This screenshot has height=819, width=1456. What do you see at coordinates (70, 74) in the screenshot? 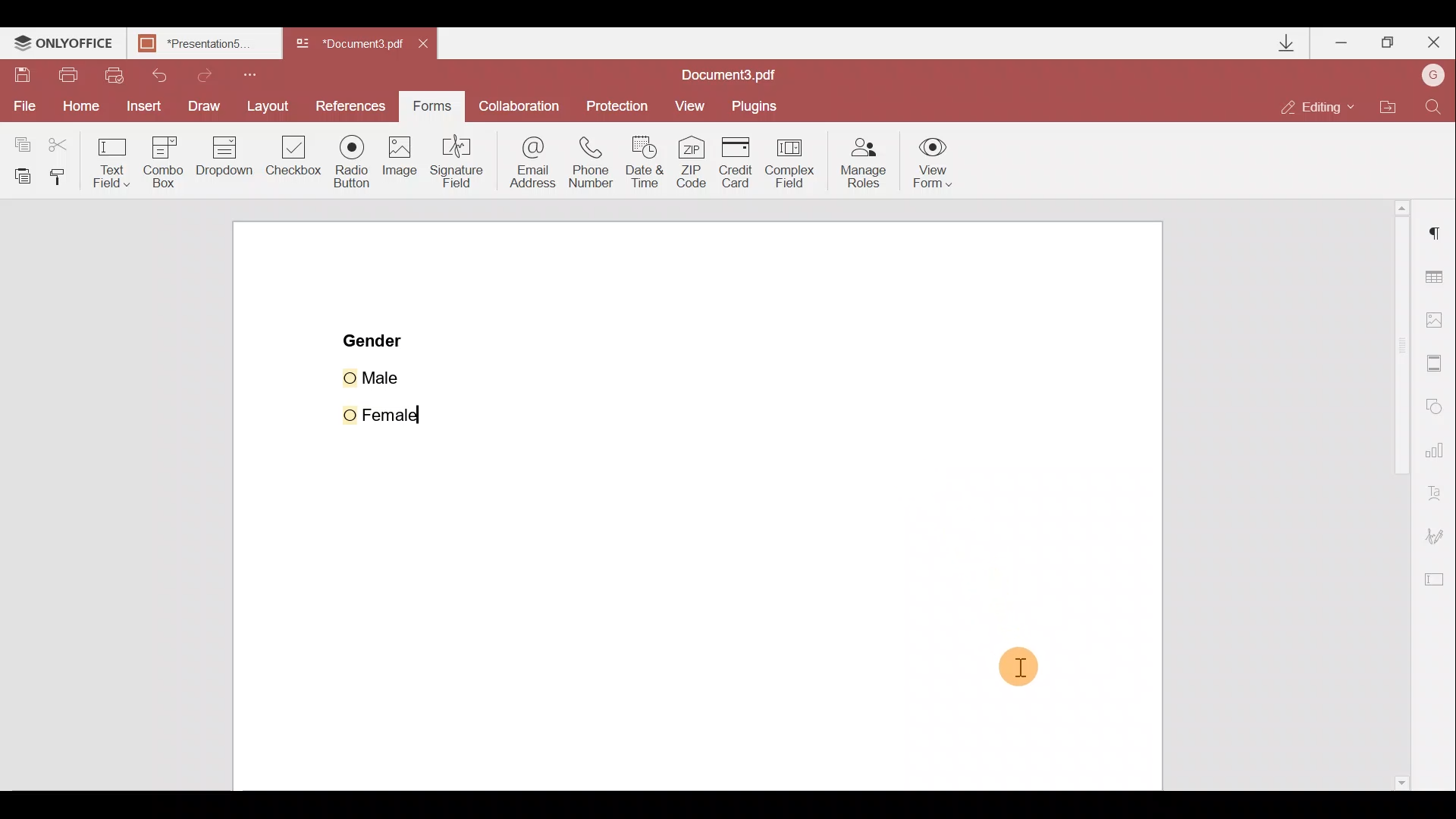
I see `Print file` at bounding box center [70, 74].